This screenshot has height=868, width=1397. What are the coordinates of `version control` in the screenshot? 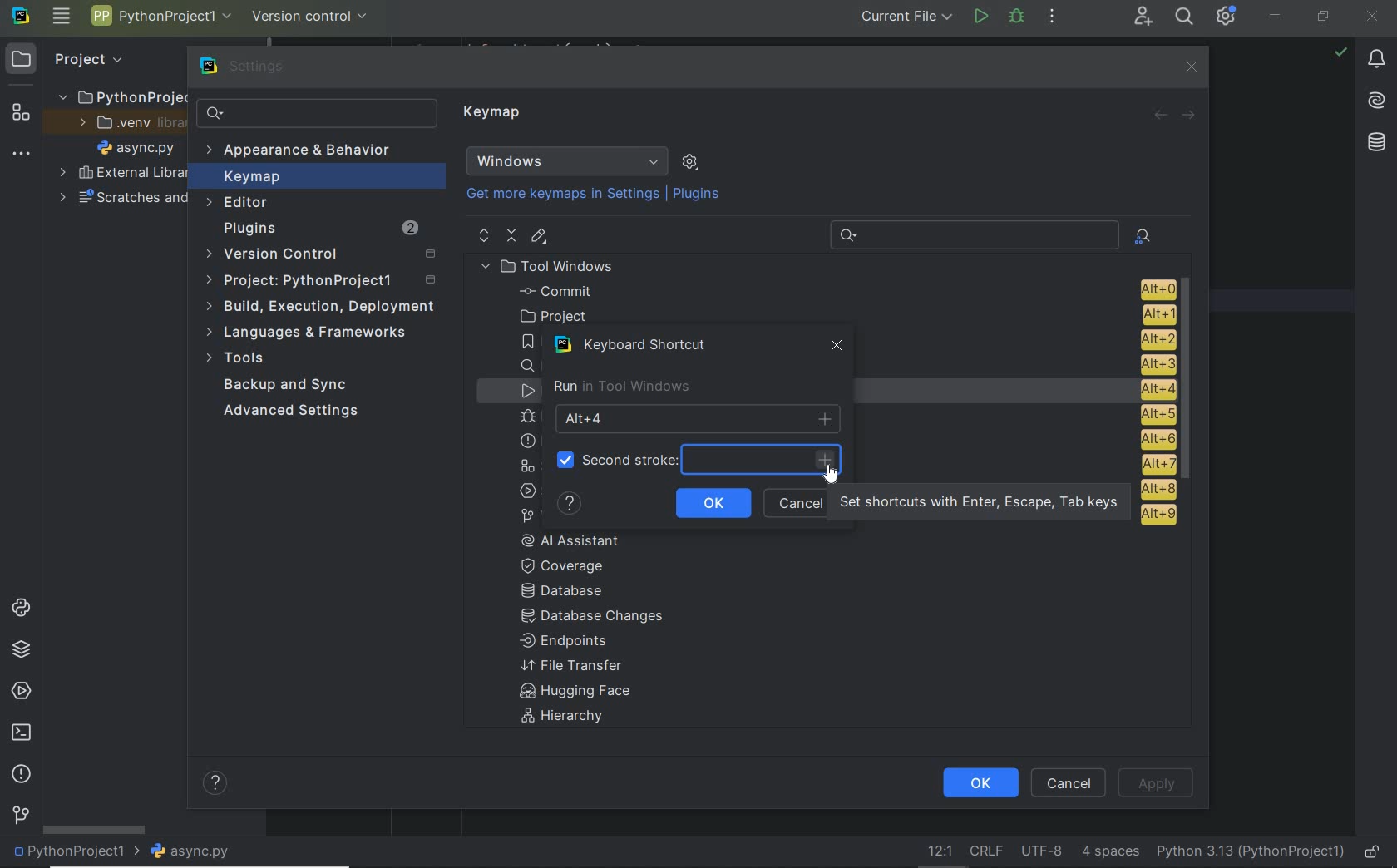 It's located at (311, 15).